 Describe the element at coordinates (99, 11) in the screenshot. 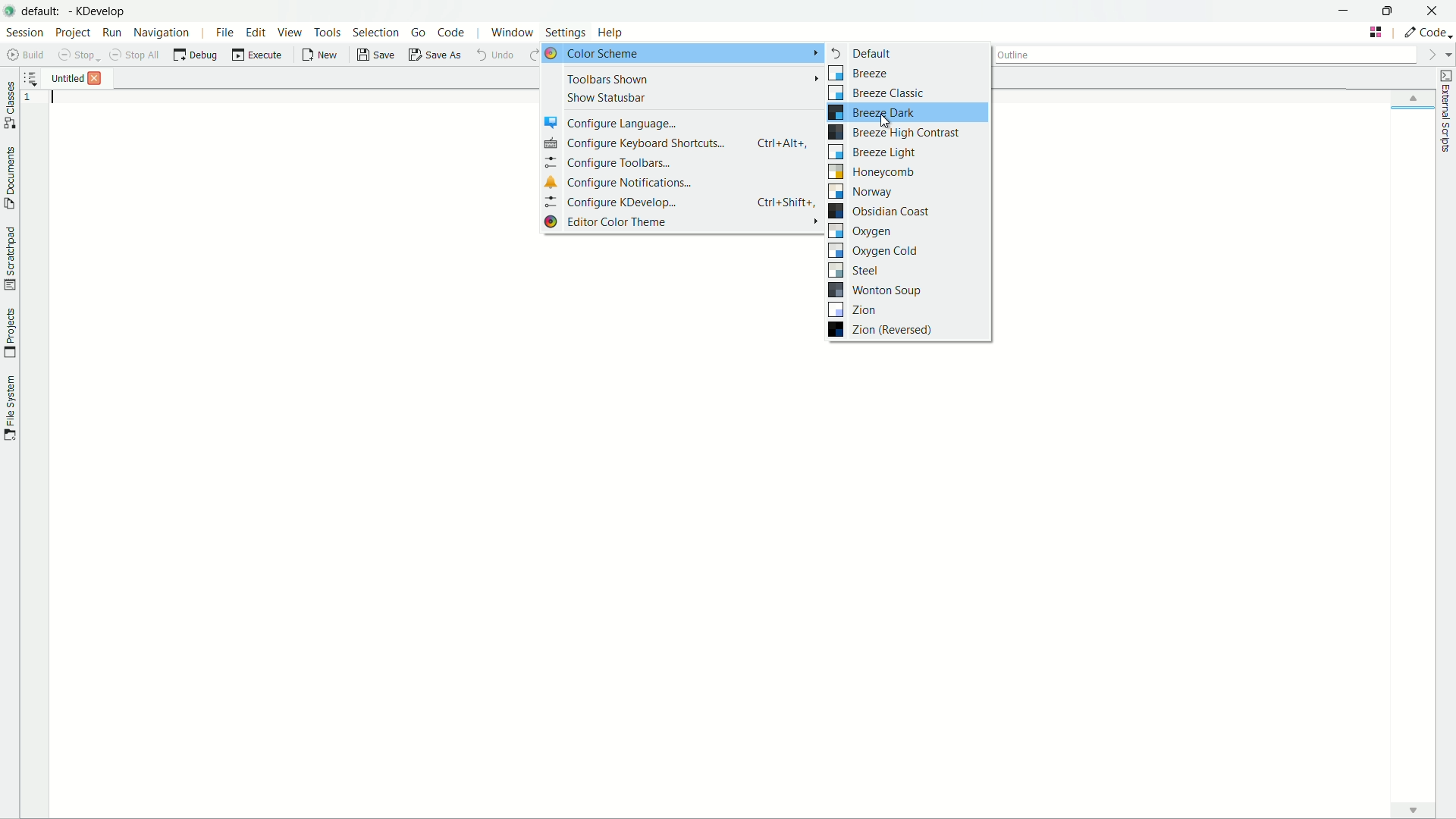

I see `kdevelop` at that location.